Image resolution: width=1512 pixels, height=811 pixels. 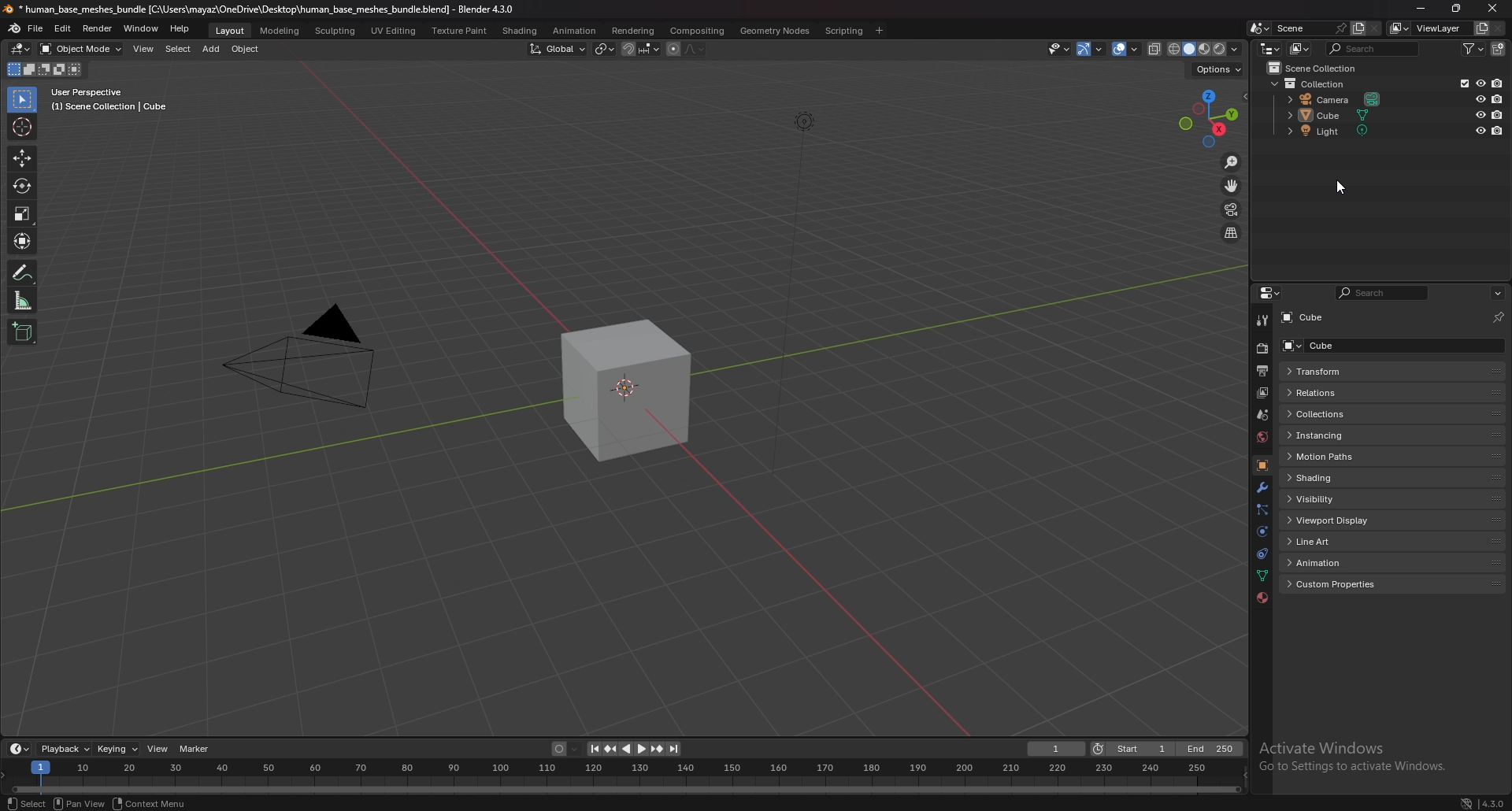 What do you see at coordinates (23, 331) in the screenshot?
I see `add cube` at bounding box center [23, 331].